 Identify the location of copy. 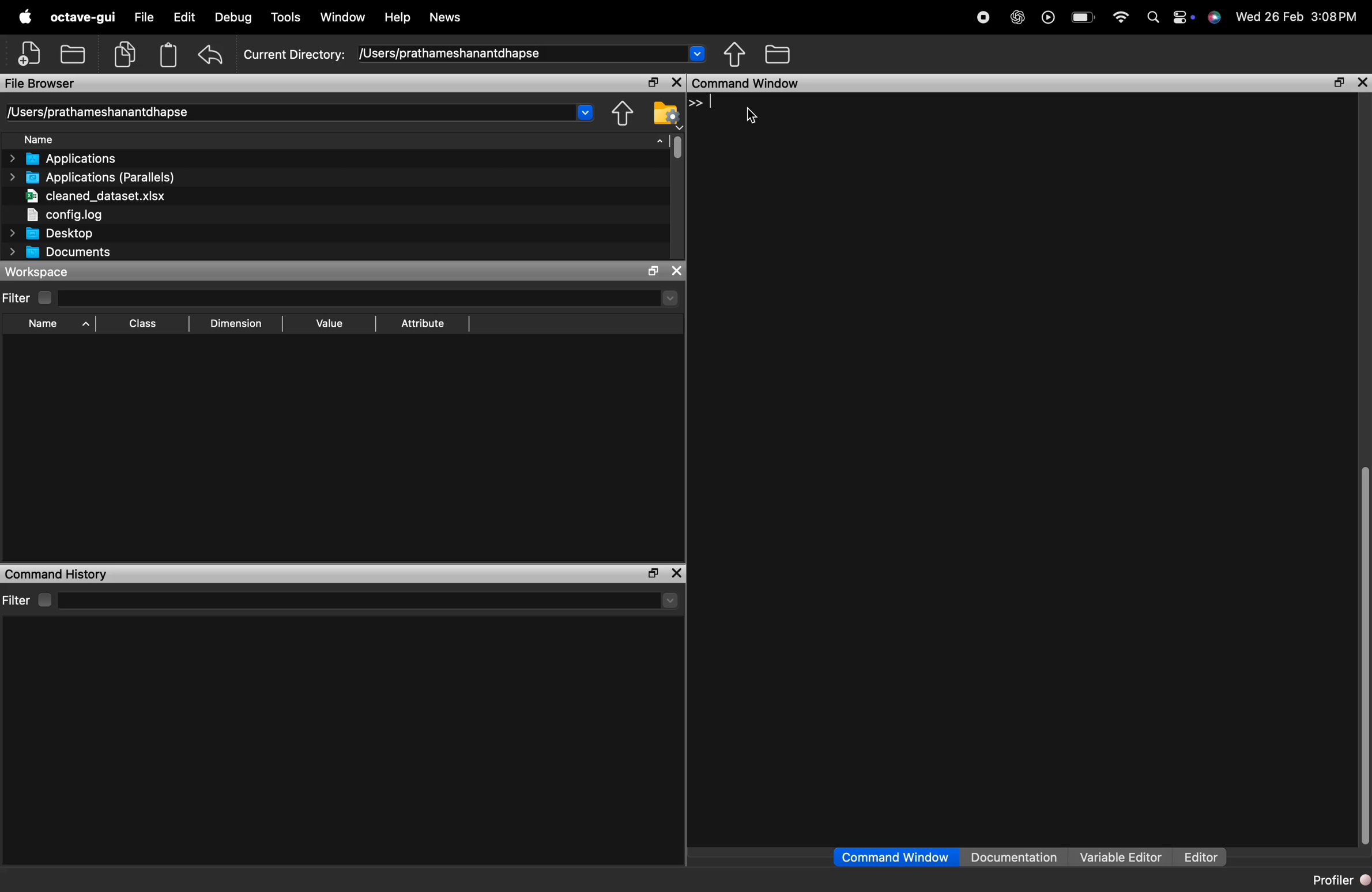
(126, 53).